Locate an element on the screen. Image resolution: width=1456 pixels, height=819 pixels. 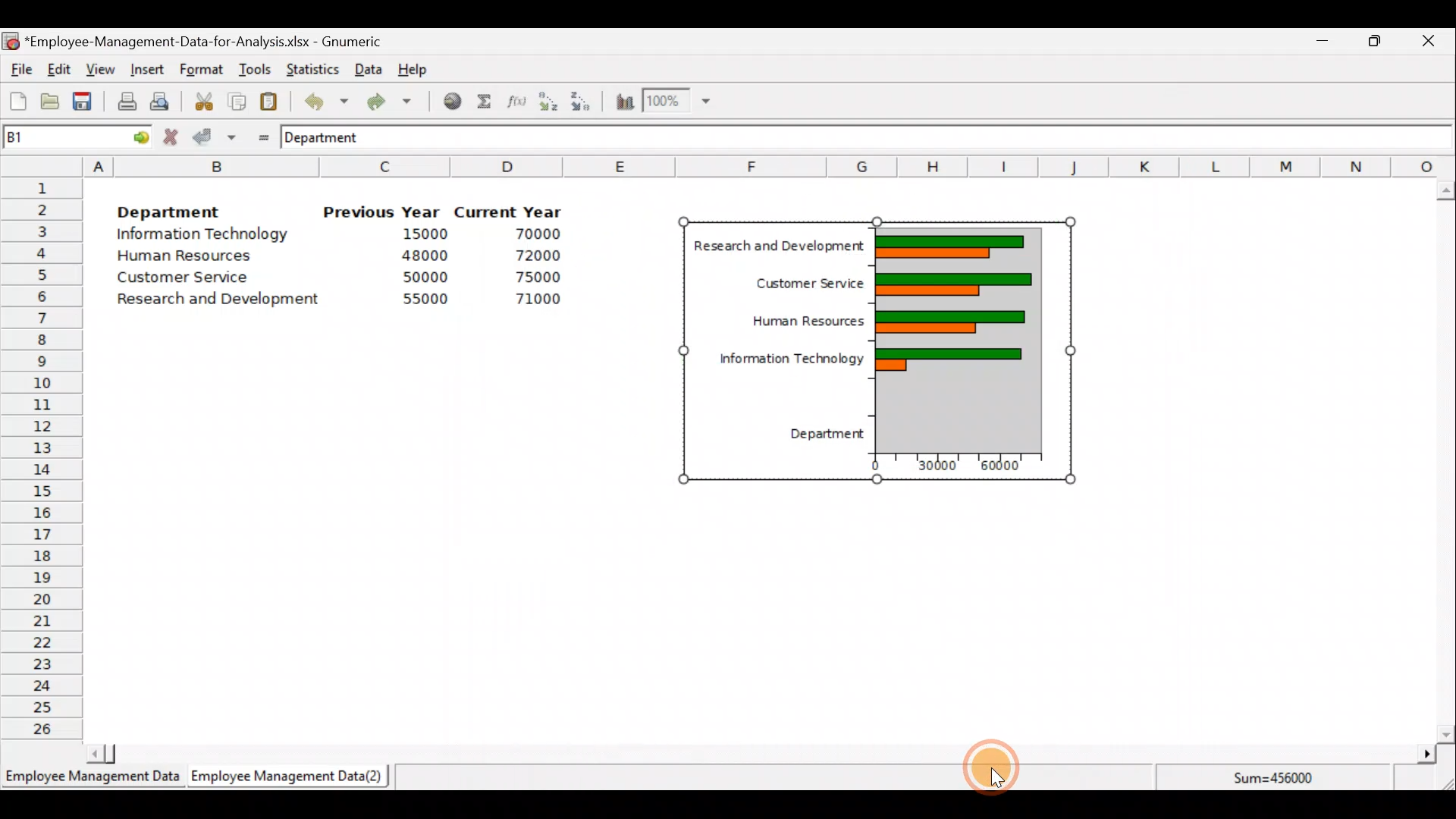
Copy the selection is located at coordinates (236, 99).